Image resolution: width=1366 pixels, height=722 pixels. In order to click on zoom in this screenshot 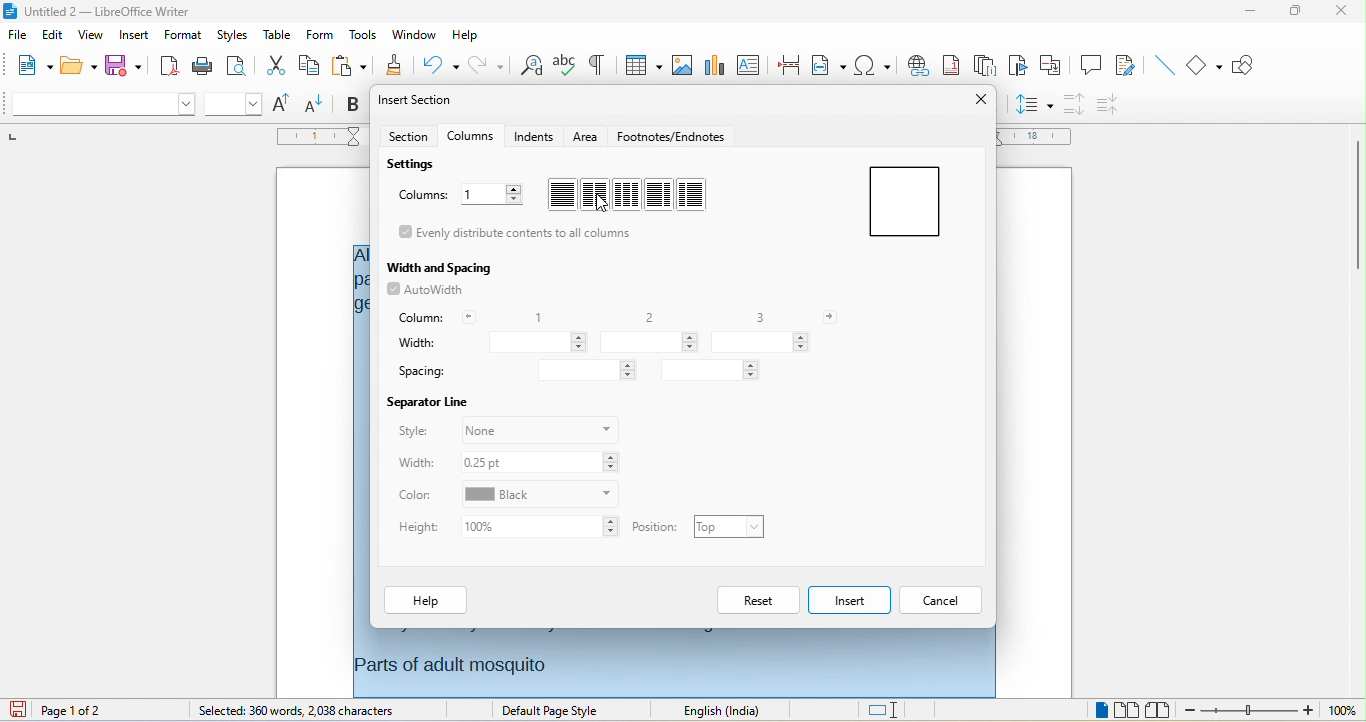, I will do `click(1248, 711)`.